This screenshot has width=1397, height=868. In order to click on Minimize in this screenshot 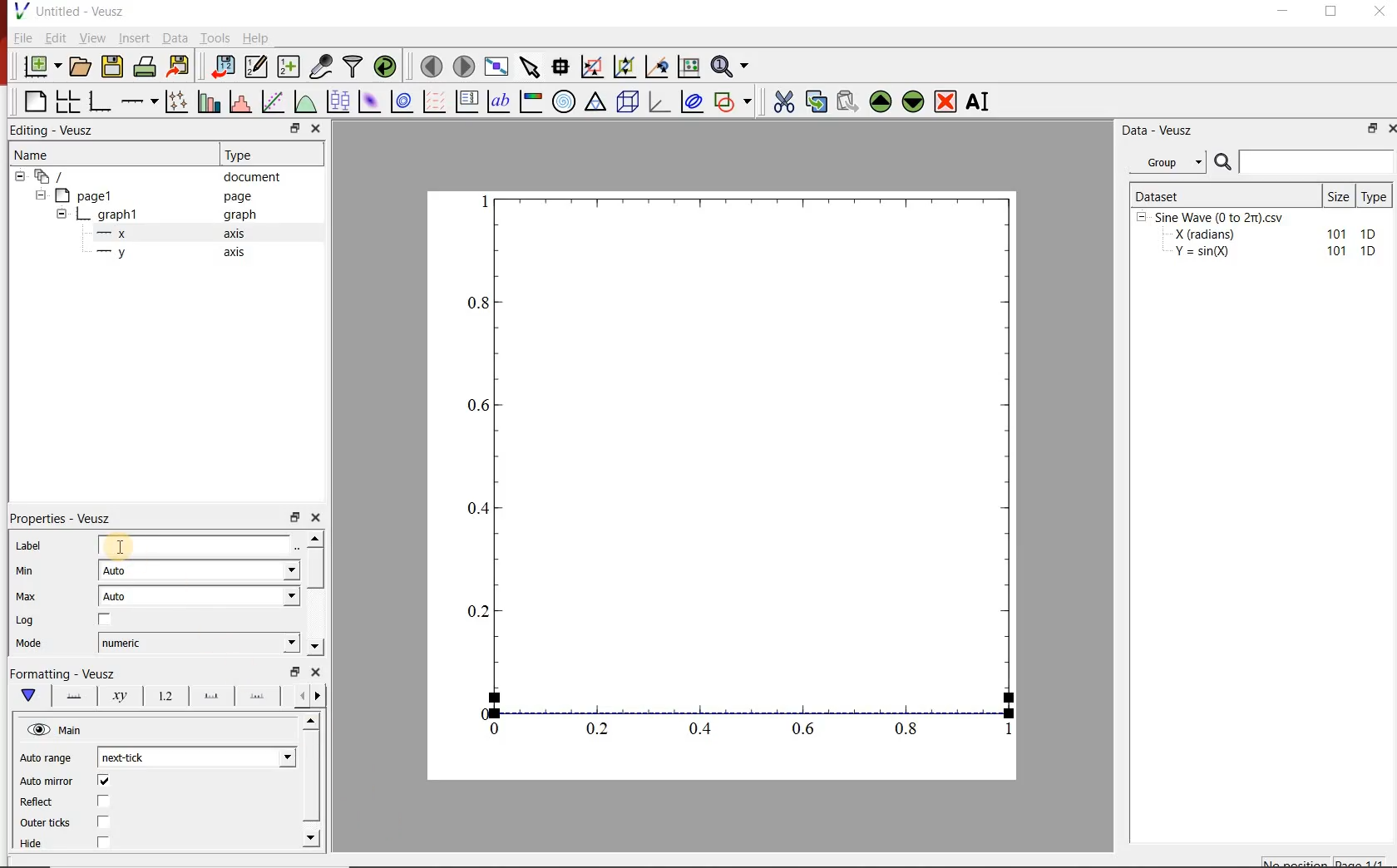, I will do `click(1282, 12)`.